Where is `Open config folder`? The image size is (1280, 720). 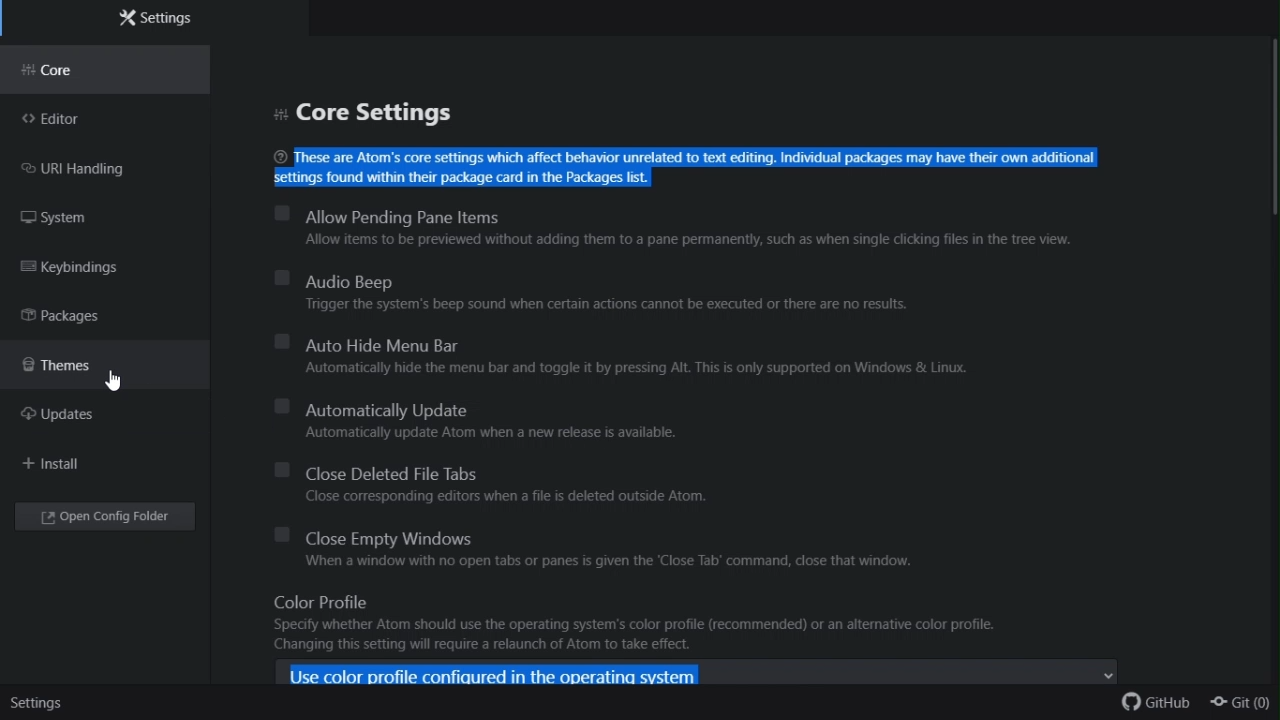 Open config folder is located at coordinates (103, 515).